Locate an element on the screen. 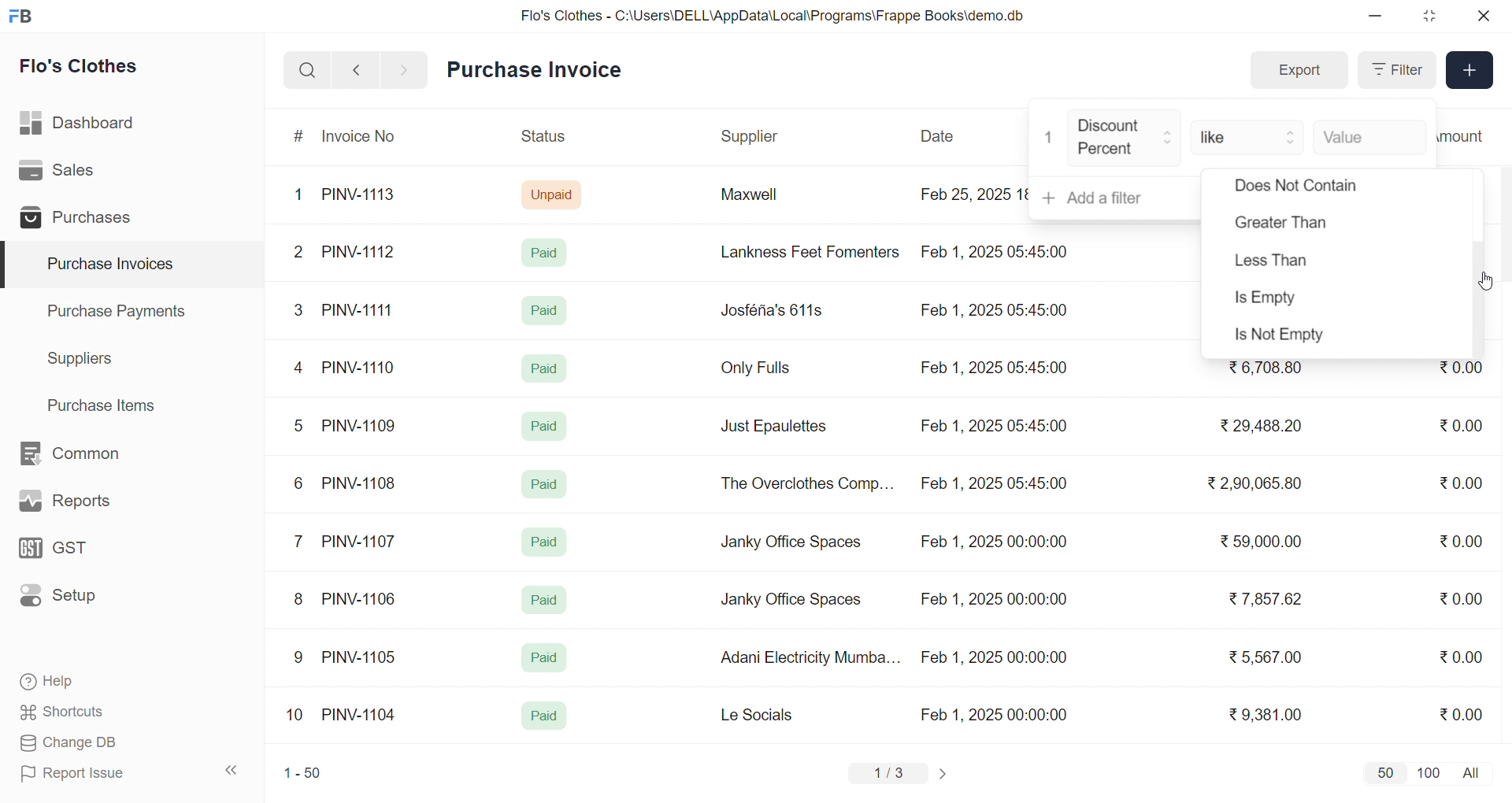 Image resolution: width=1512 pixels, height=803 pixels. Change DB is located at coordinates (99, 743).